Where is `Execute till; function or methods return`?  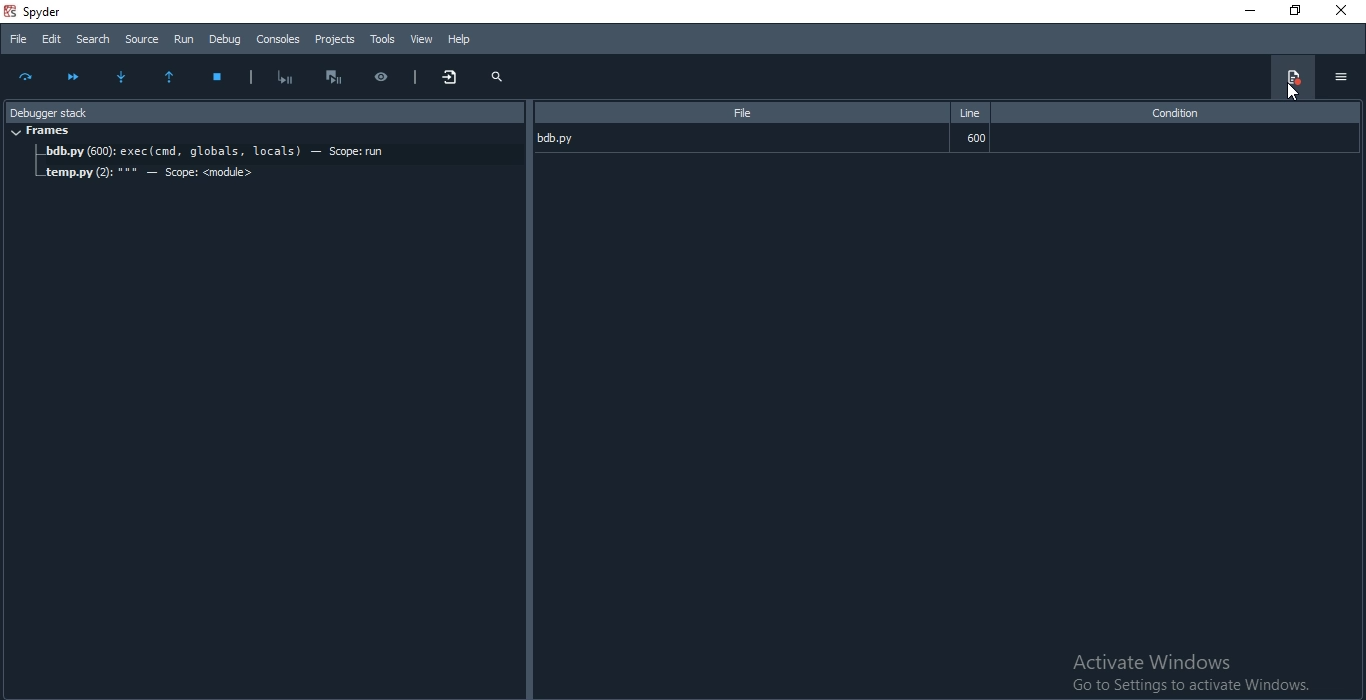
Execute till; function or methods return is located at coordinates (175, 78).